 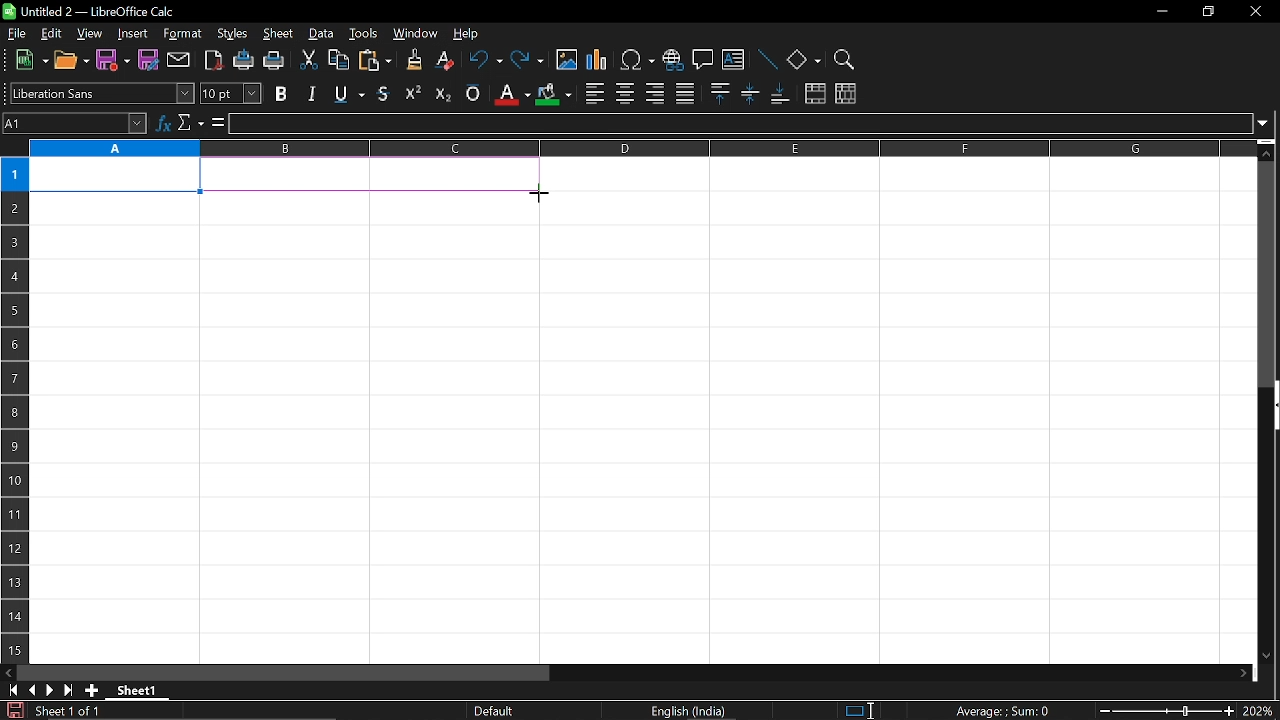 What do you see at coordinates (68, 711) in the screenshot?
I see `Sheet 1 of 1` at bounding box center [68, 711].